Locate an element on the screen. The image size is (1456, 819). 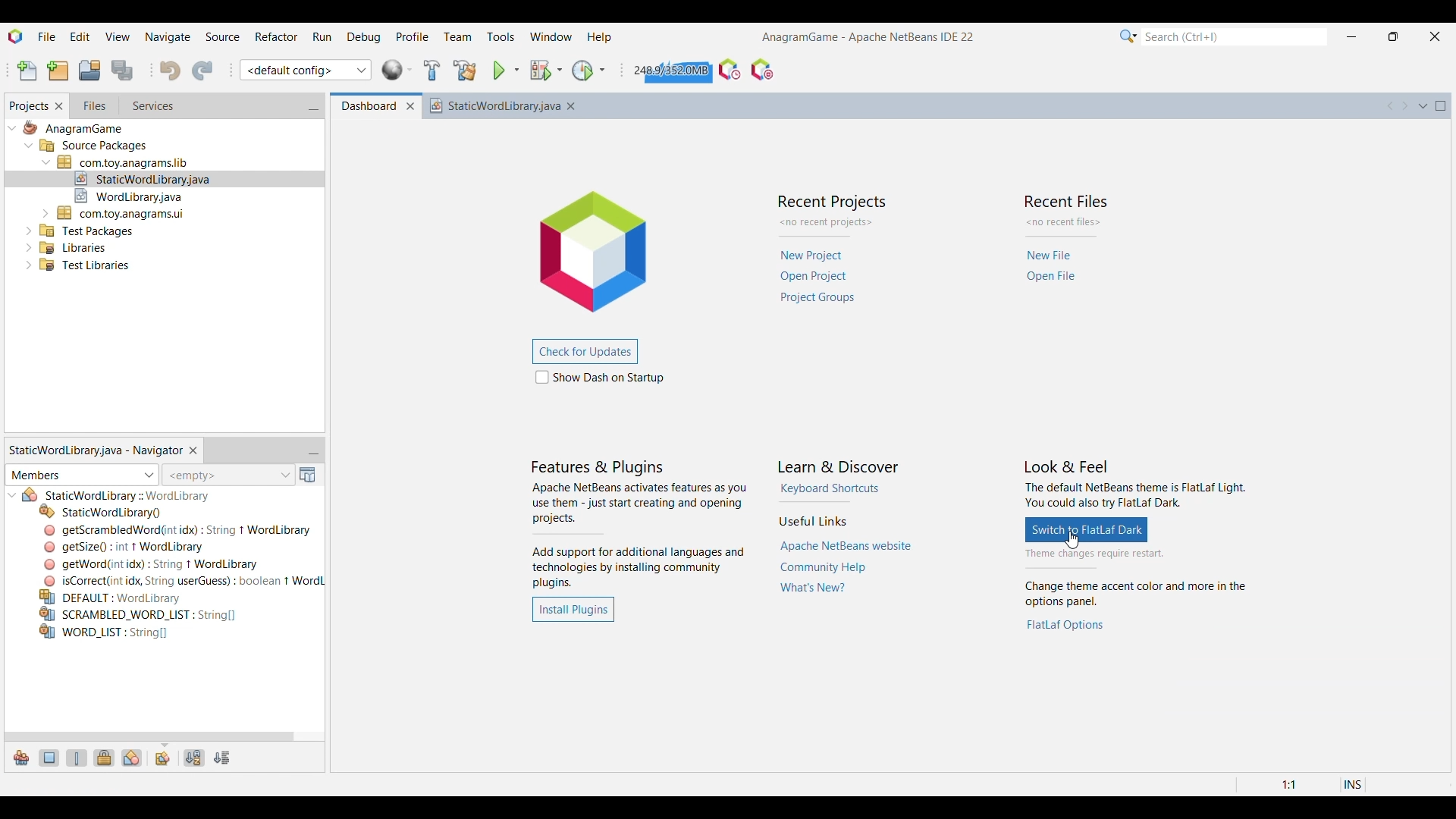
Redo is located at coordinates (202, 71).